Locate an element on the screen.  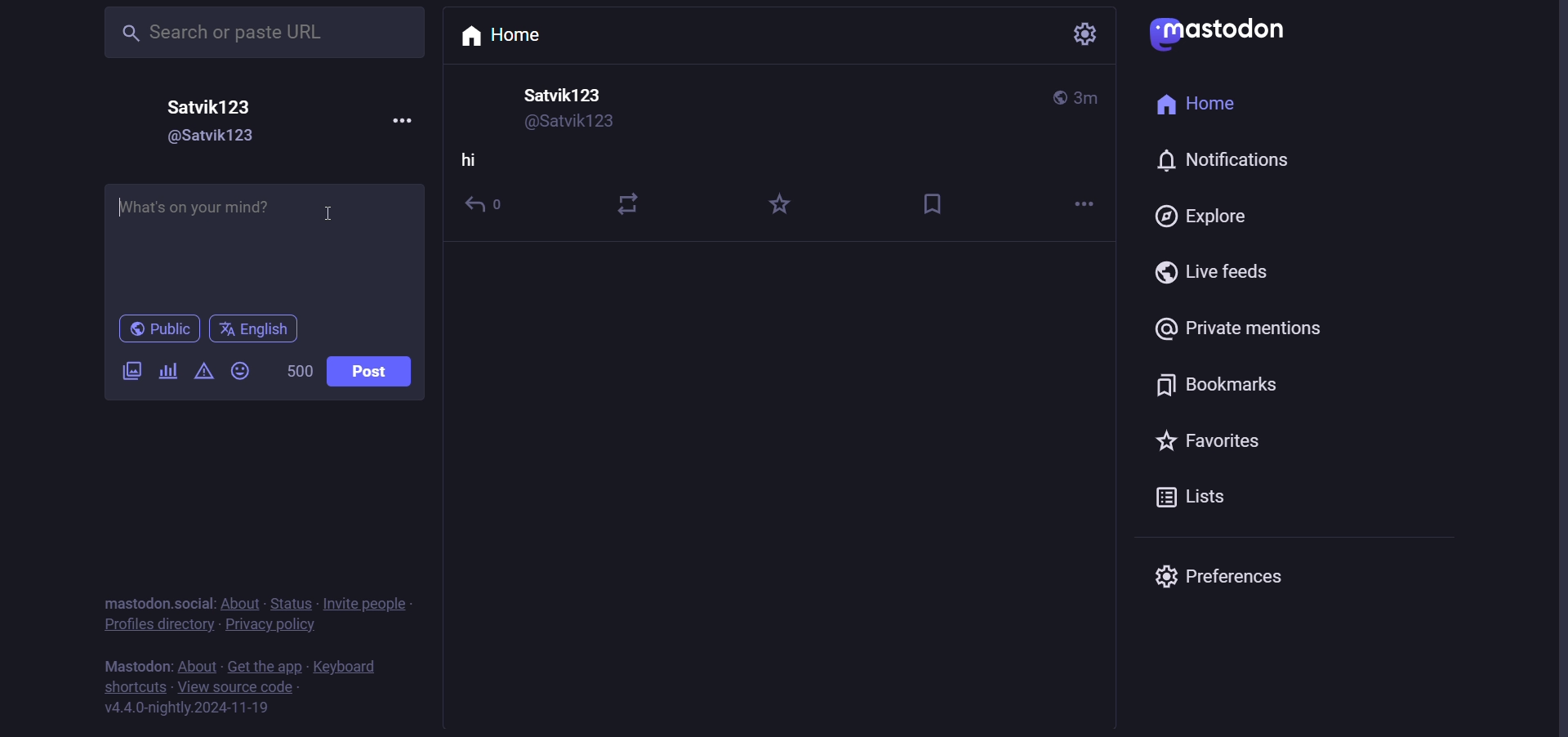
boost is located at coordinates (632, 199).